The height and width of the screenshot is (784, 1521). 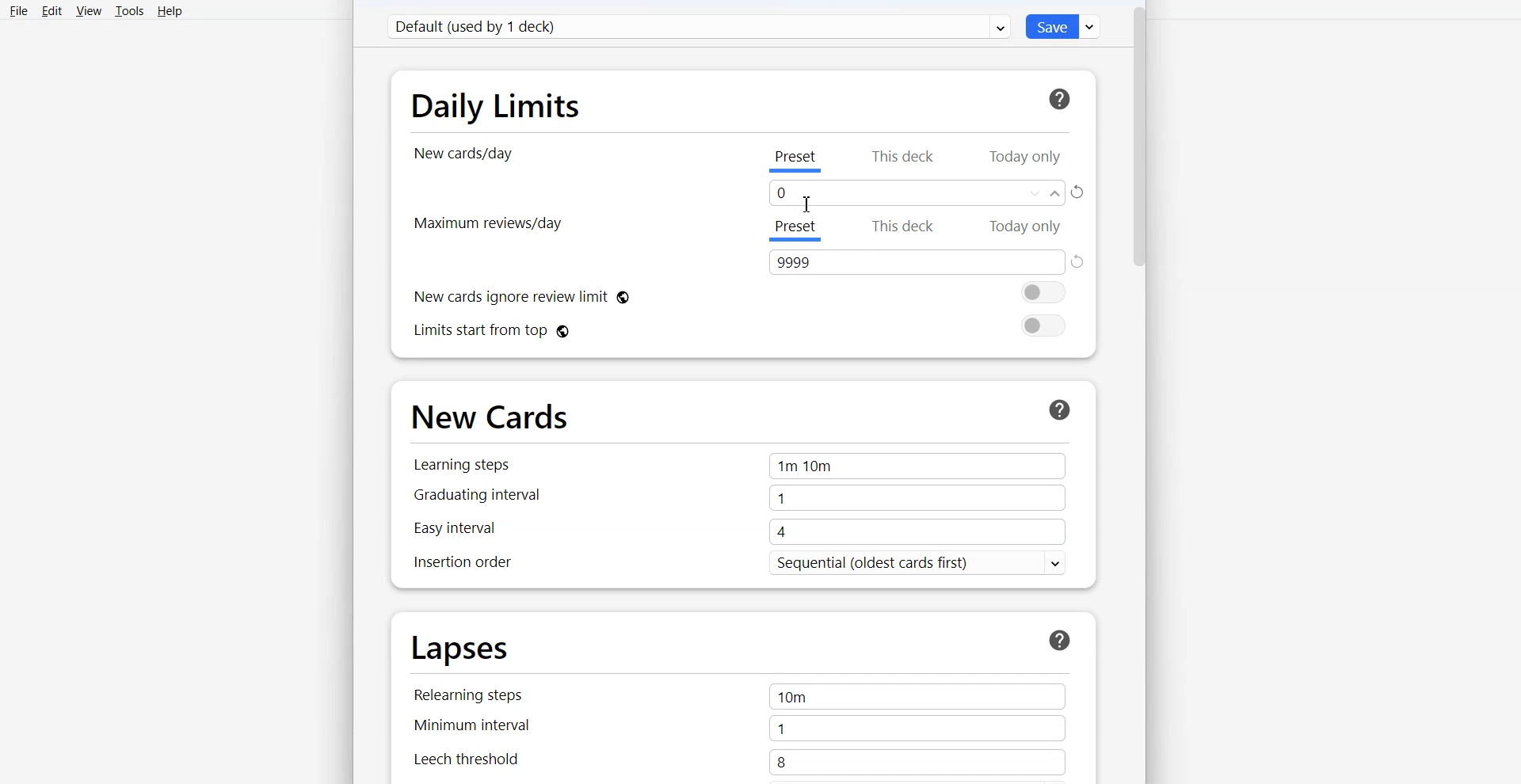 I want to click on Rest, so click(x=1079, y=193).